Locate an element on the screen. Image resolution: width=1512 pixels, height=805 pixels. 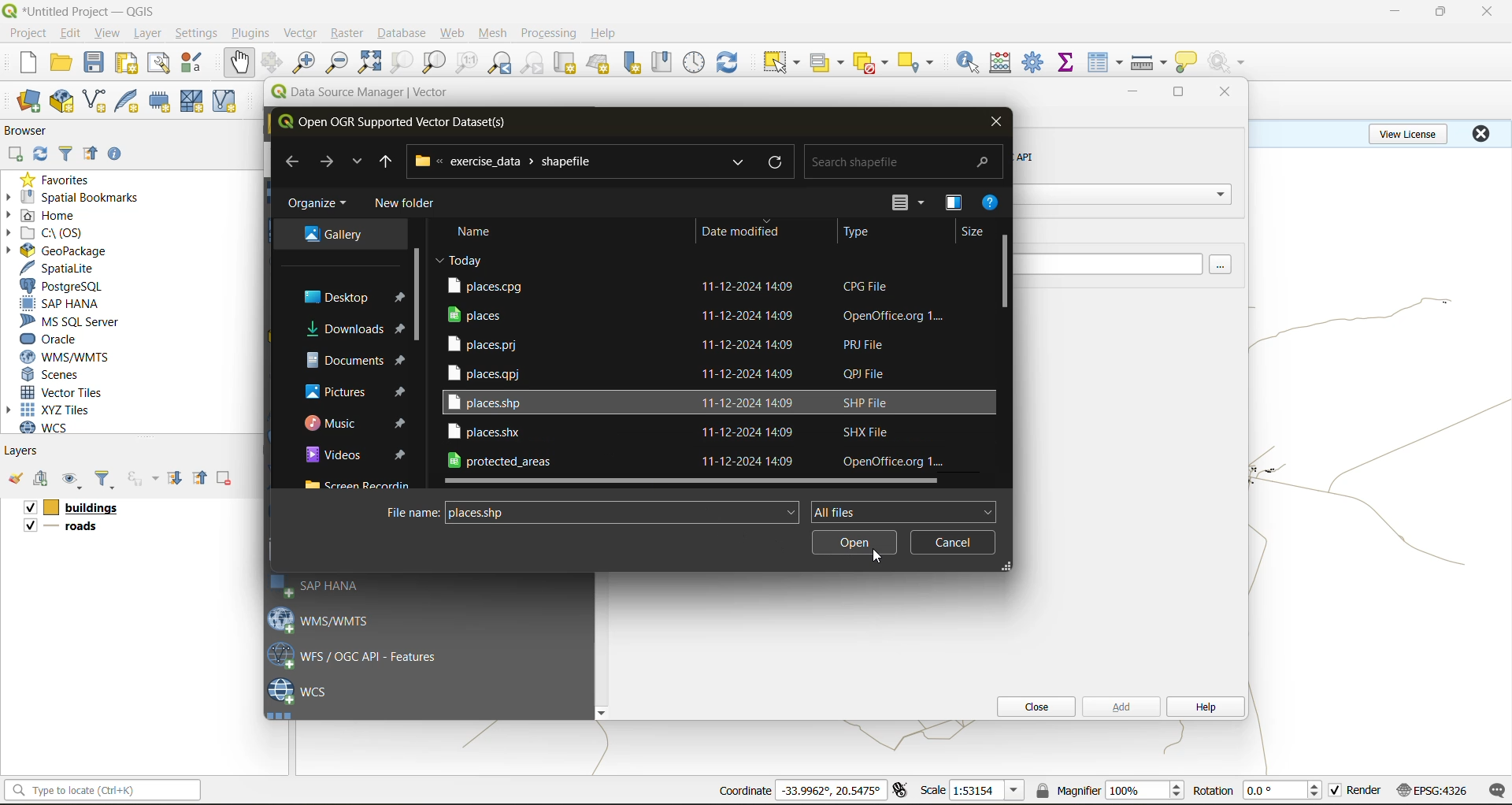
crs is located at coordinates (1432, 789).